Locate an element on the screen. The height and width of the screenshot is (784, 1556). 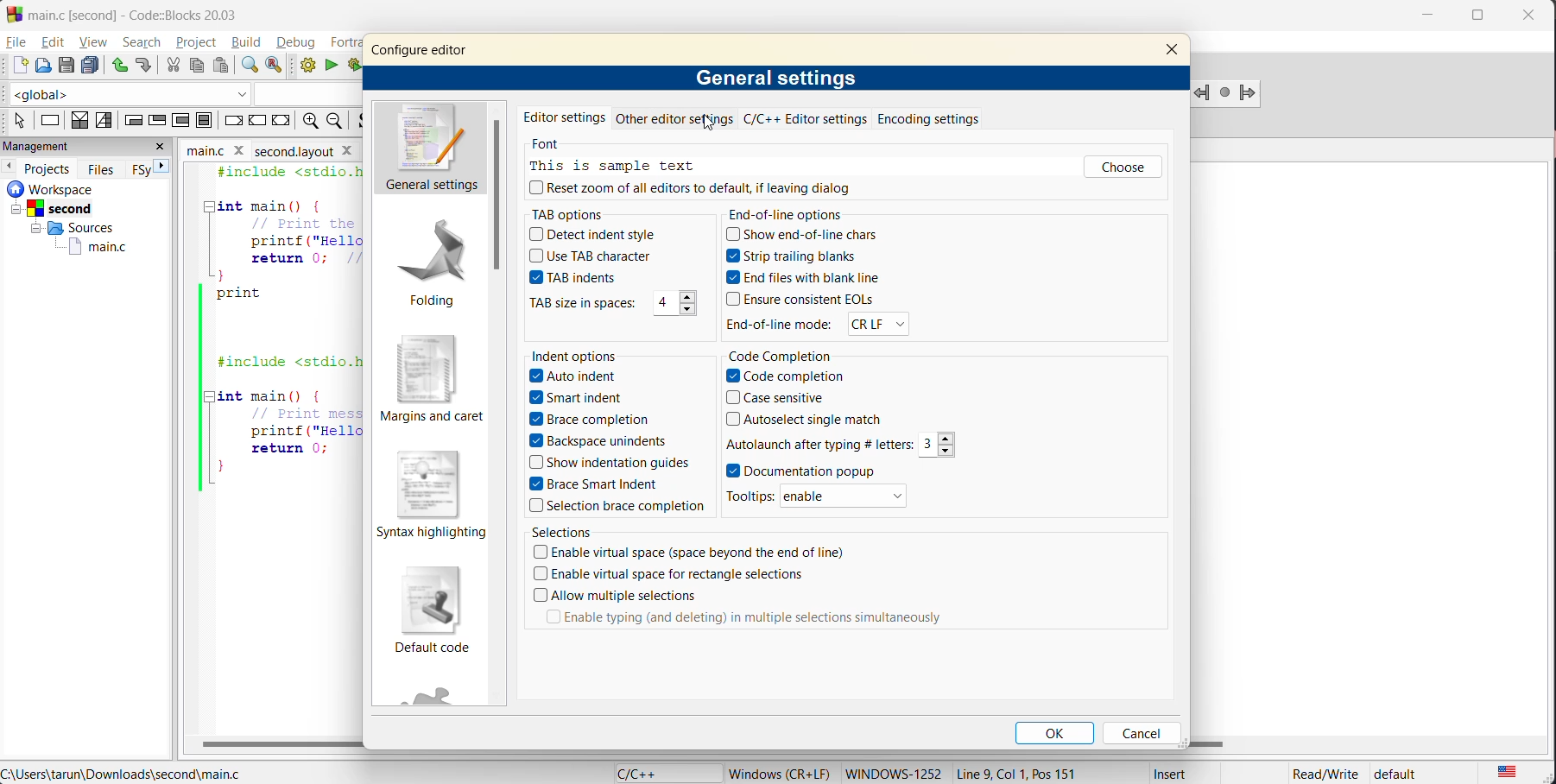
Line 9, Col 1, Pos 151 is located at coordinates (1032, 769).